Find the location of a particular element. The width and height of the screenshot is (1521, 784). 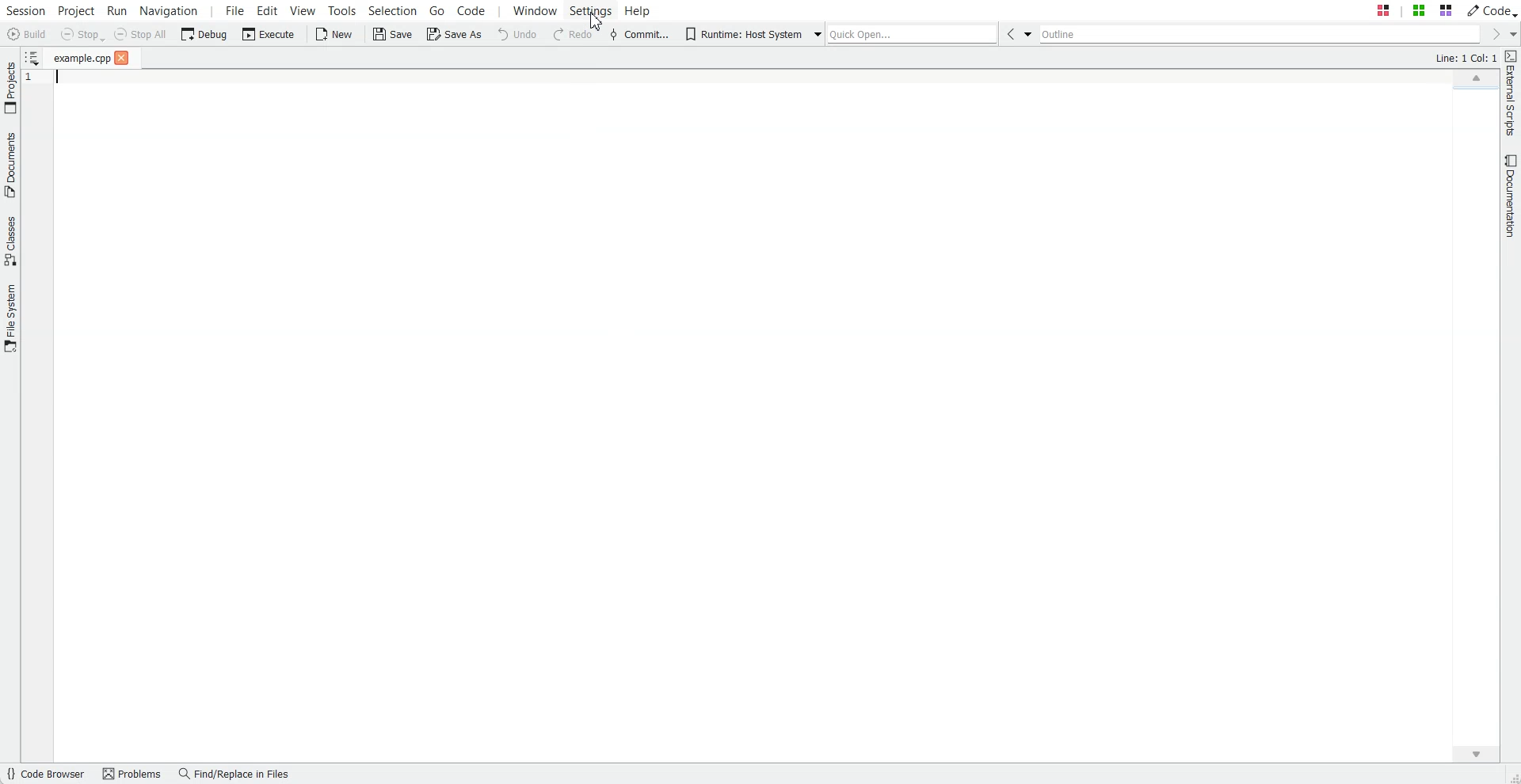

Show sorted List is located at coordinates (31, 57).